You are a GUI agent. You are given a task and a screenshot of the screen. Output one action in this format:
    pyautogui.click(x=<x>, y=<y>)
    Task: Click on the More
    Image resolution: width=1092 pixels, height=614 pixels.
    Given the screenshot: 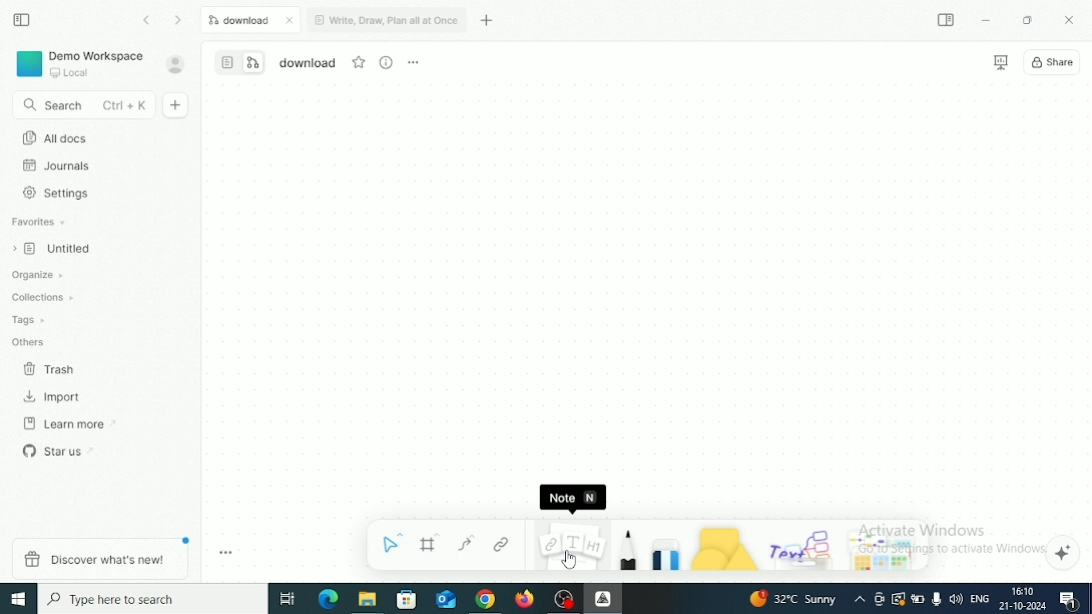 What is the action you would take?
    pyautogui.click(x=414, y=62)
    